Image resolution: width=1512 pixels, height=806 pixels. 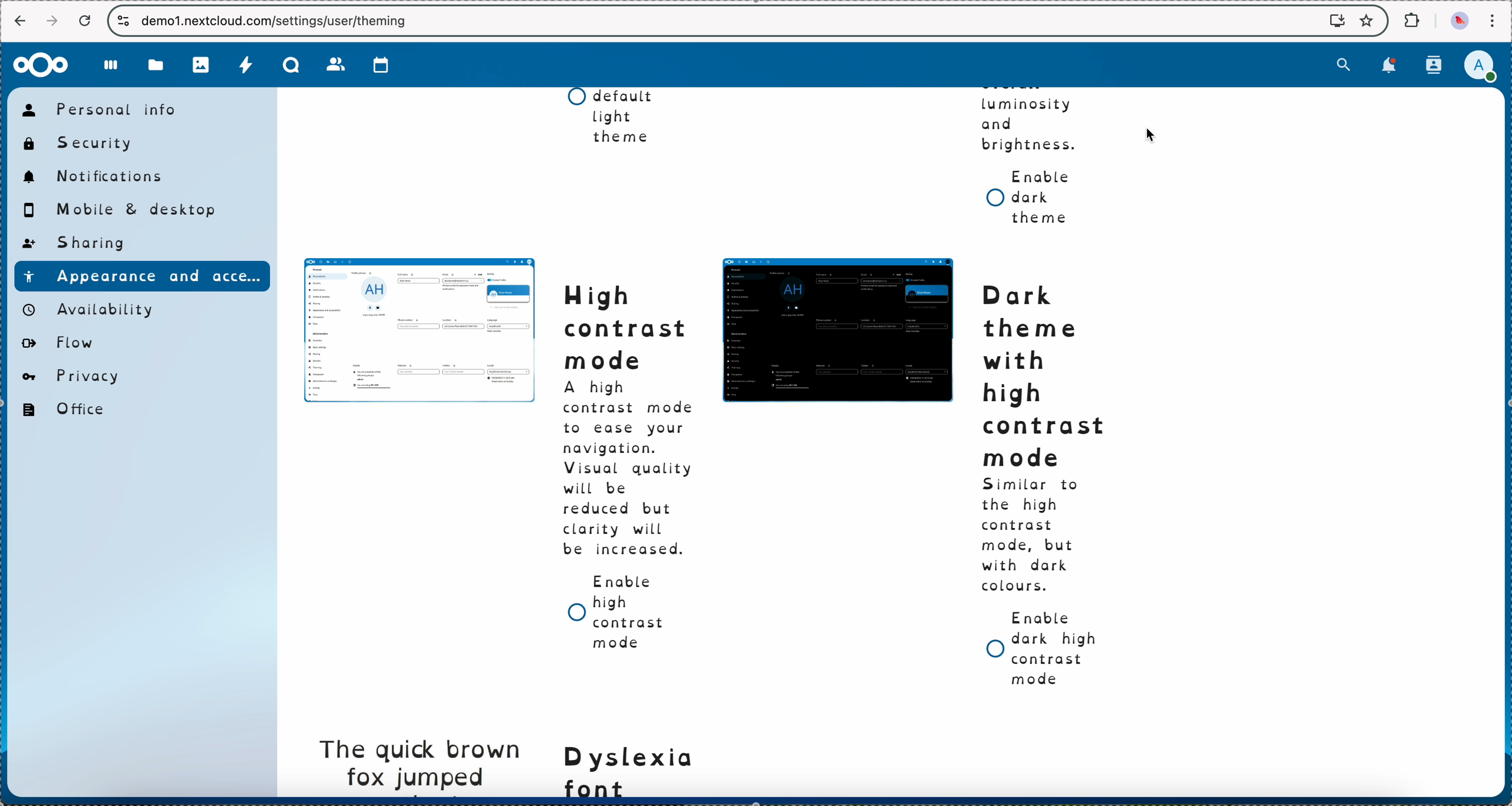 I want to click on activity, so click(x=244, y=66).